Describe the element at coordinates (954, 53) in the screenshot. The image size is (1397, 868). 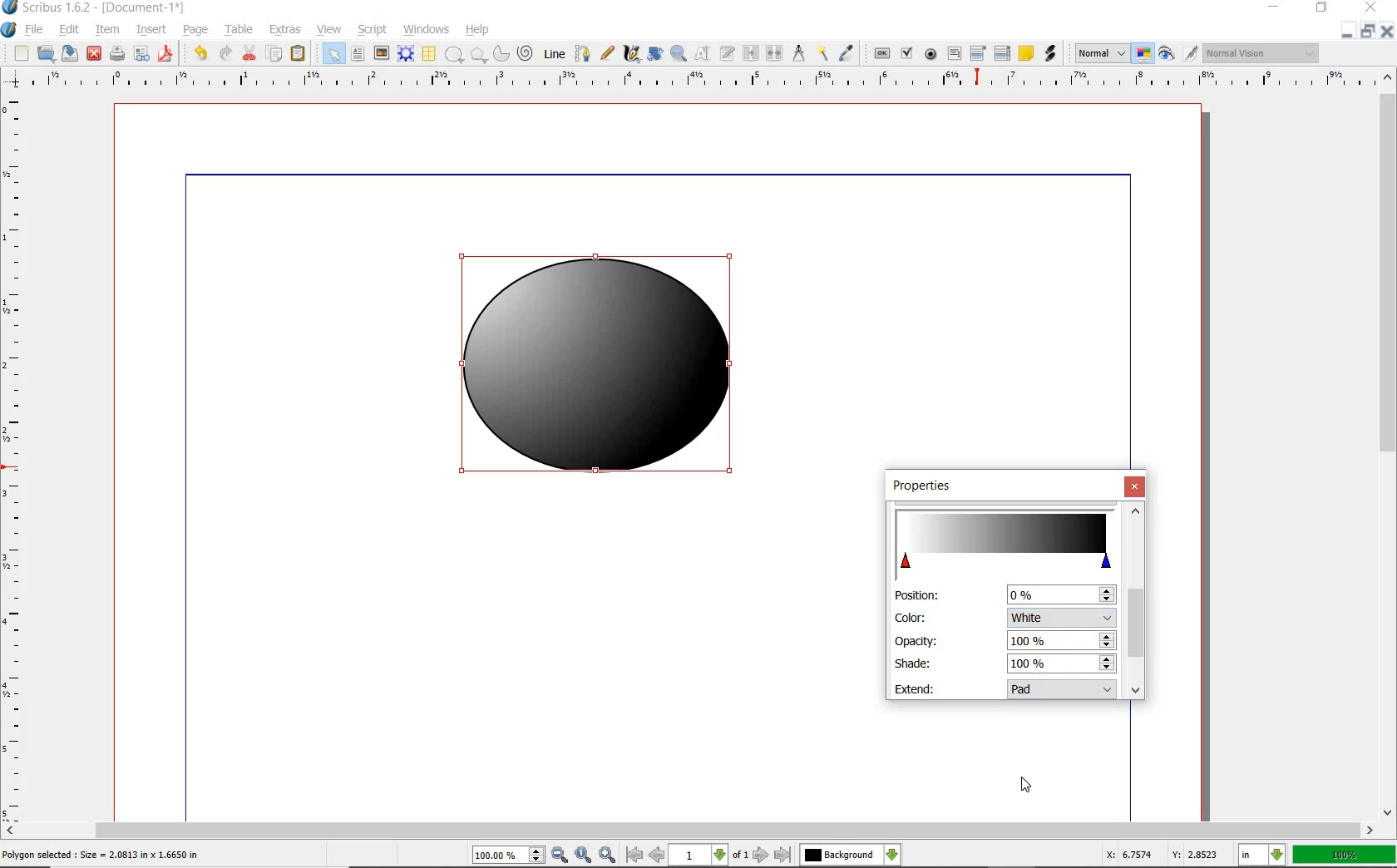
I see `PDF TEXT FIELD` at that location.